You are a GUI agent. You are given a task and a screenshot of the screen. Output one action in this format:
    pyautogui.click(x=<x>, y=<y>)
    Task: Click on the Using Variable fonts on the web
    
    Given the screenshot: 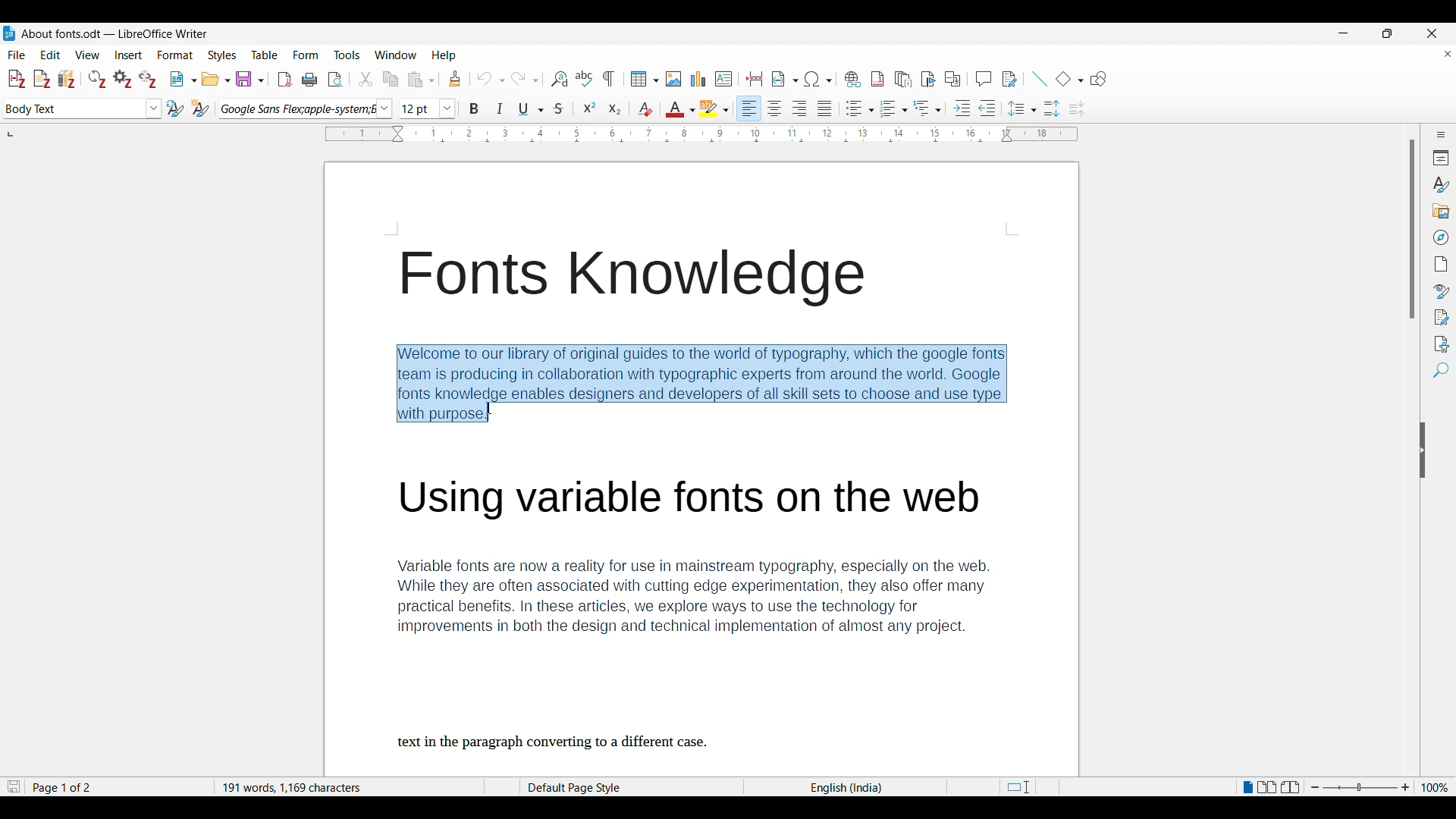 What is the action you would take?
    pyautogui.click(x=701, y=500)
    